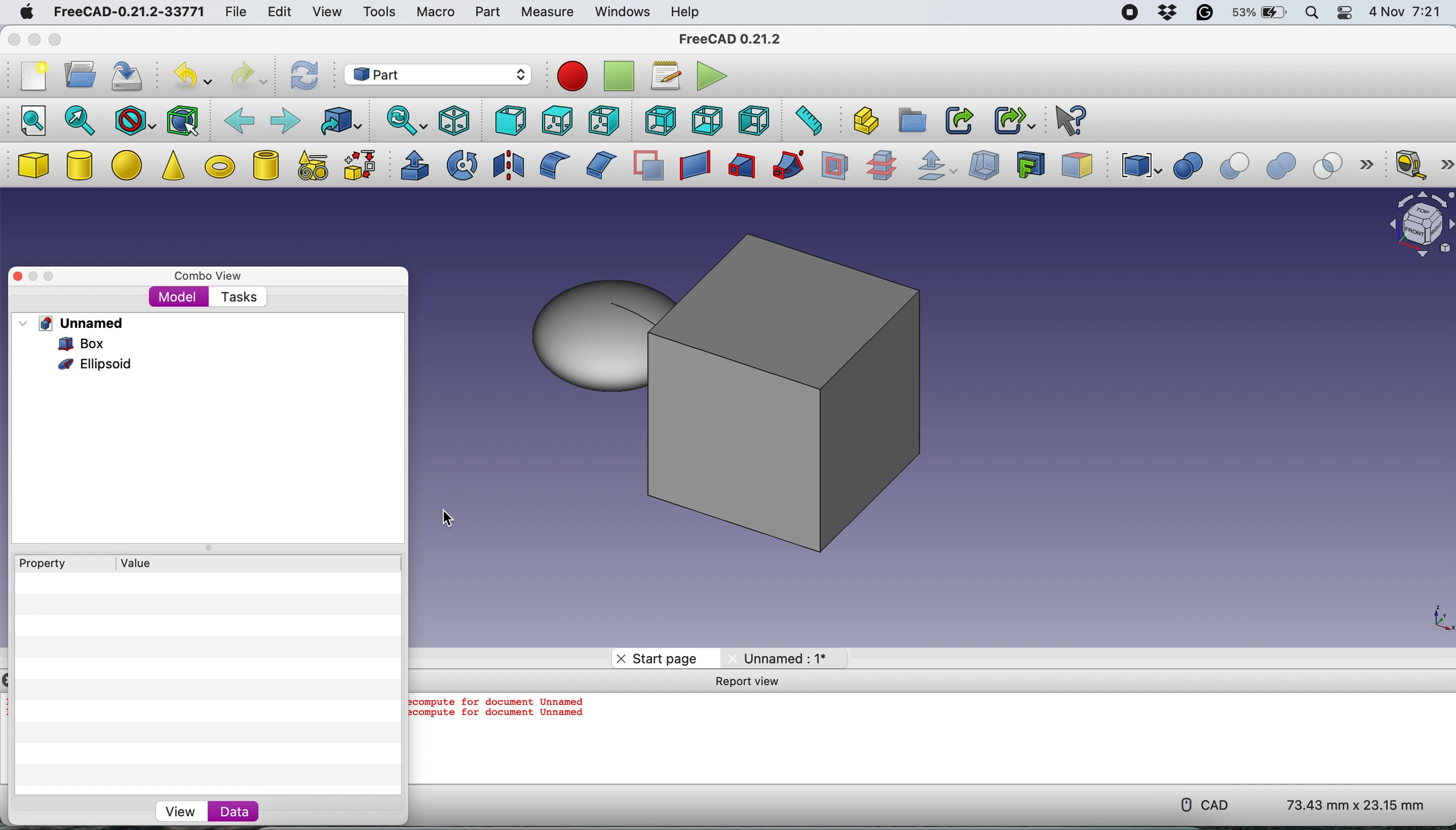 The height and width of the screenshot is (830, 1456). I want to click on fillet, so click(550, 165).